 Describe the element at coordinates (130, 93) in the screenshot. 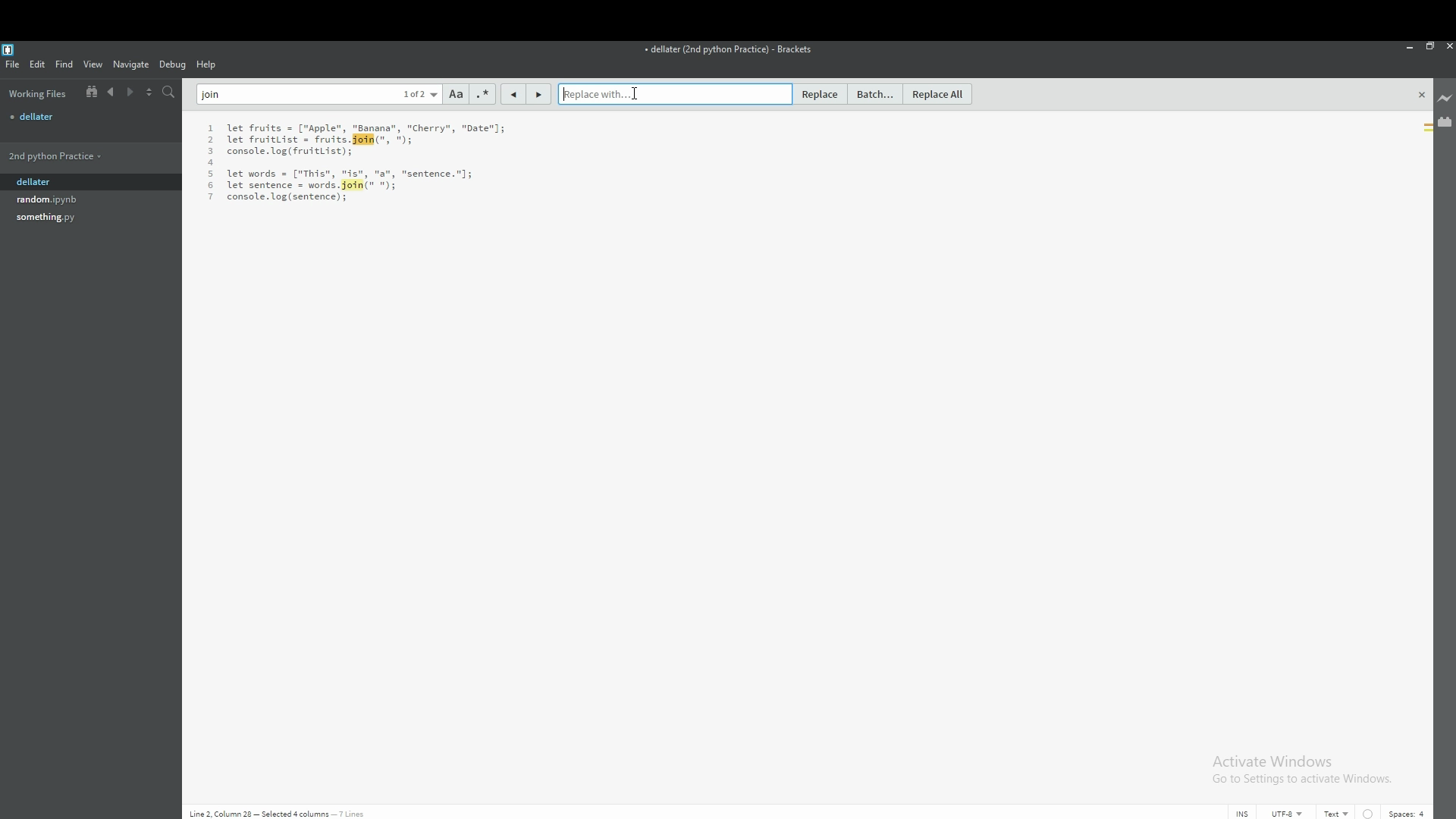

I see `next` at that location.